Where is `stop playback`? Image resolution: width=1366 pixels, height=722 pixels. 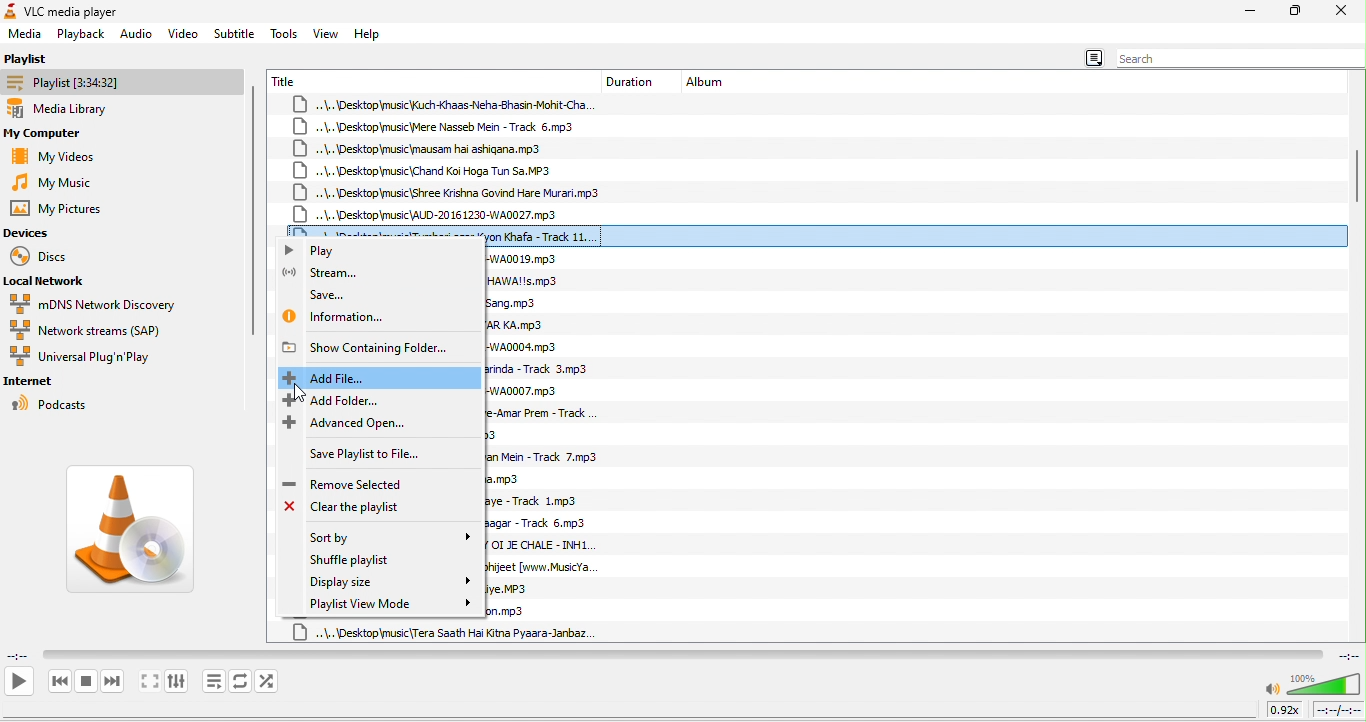
stop playback is located at coordinates (87, 681).